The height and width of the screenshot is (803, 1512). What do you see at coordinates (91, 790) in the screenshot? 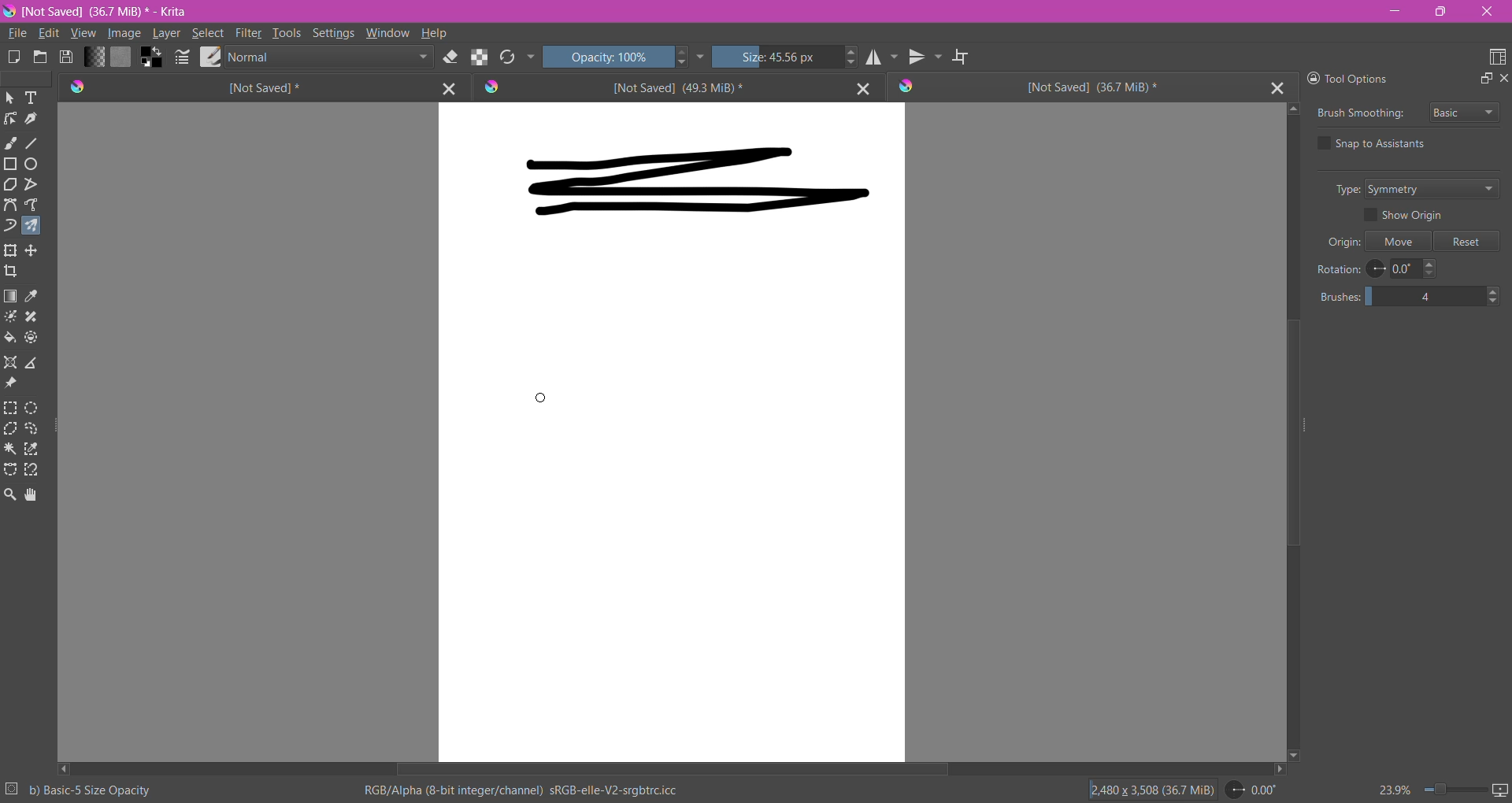
I see `Selected Brush Preset` at bounding box center [91, 790].